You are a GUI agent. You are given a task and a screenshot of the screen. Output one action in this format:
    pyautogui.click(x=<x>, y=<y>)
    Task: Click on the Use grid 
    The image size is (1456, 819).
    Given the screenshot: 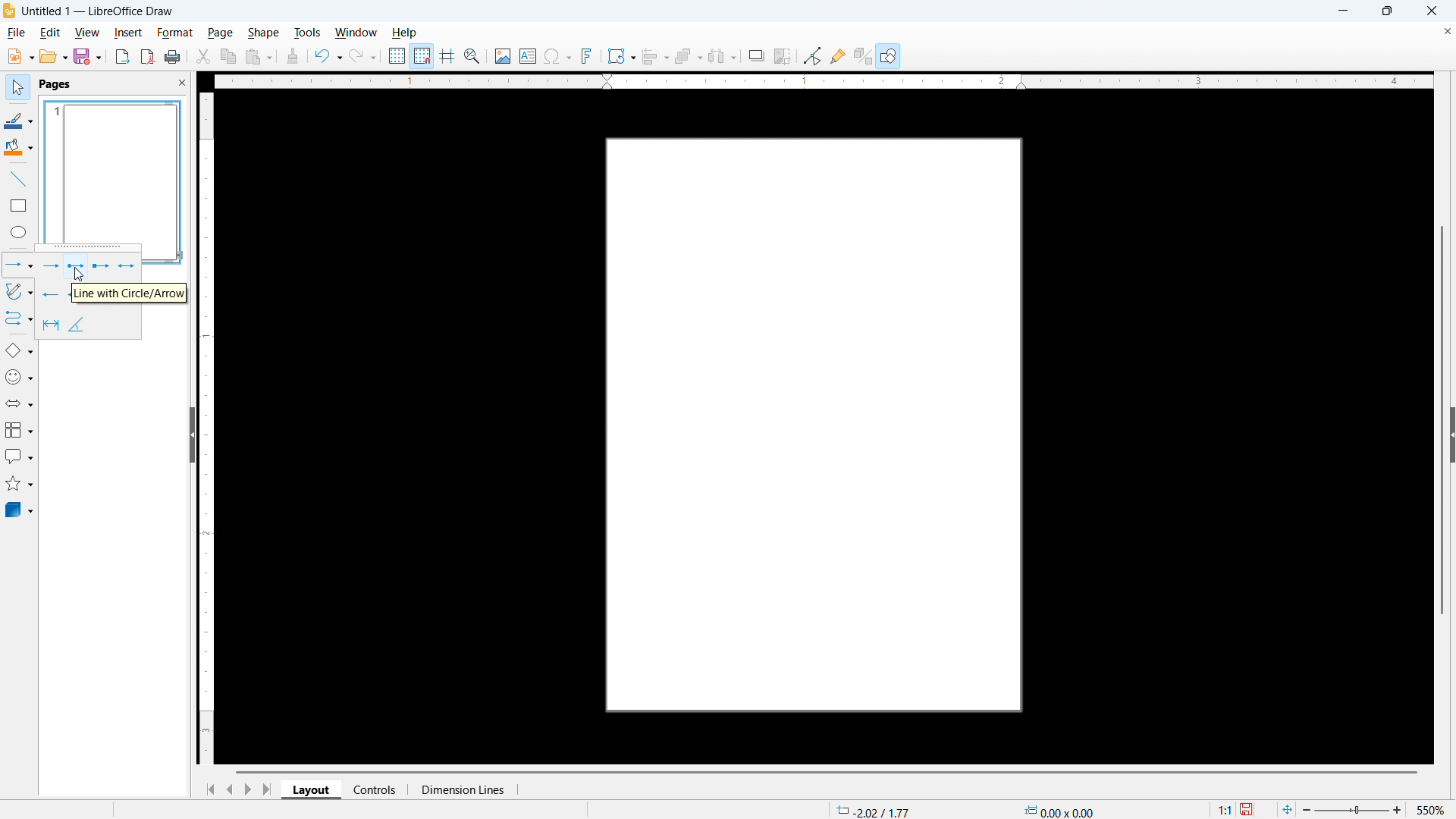 What is the action you would take?
    pyautogui.click(x=397, y=56)
    